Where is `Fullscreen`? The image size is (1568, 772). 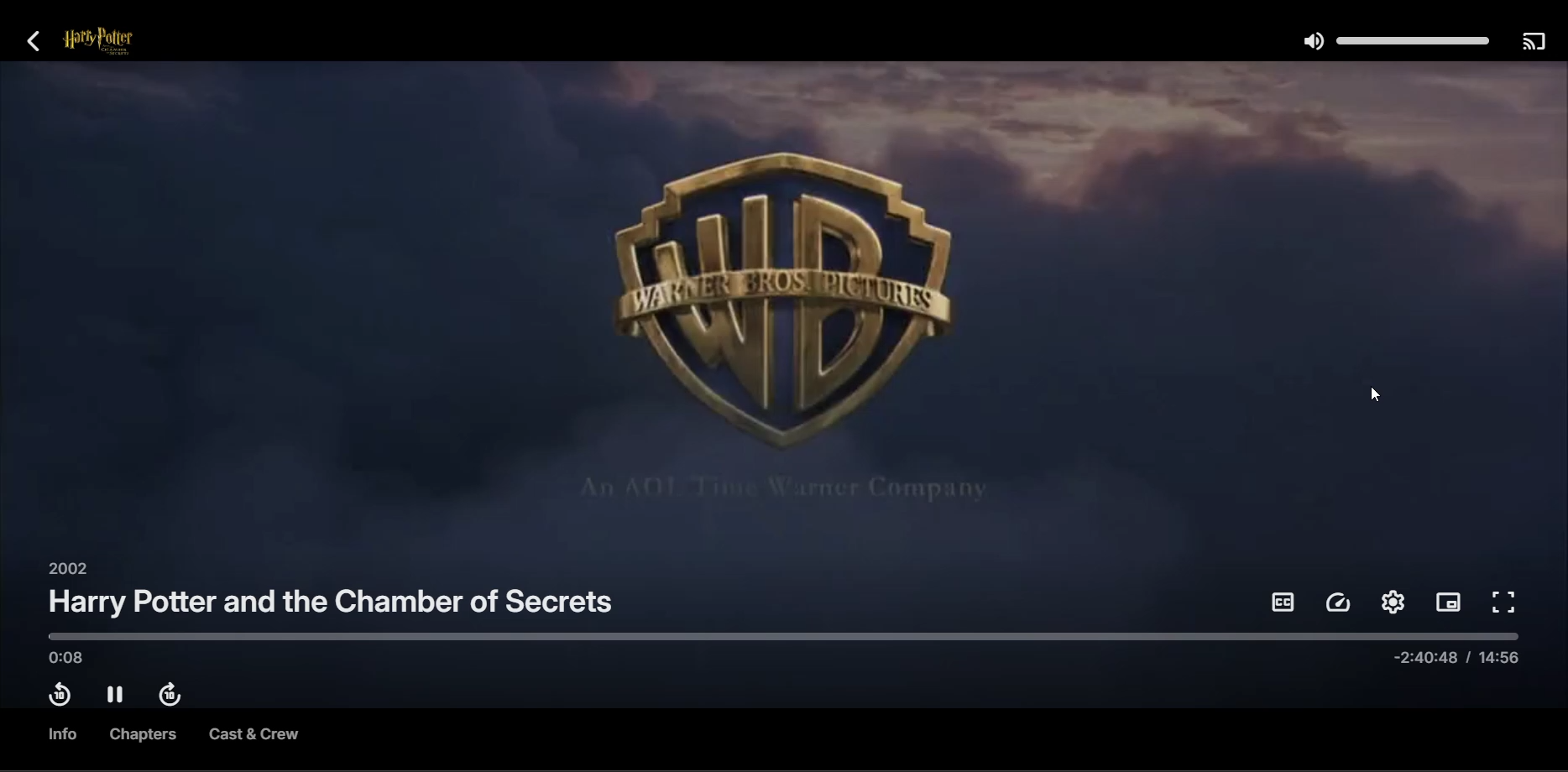
Fullscreen is located at coordinates (1505, 603).